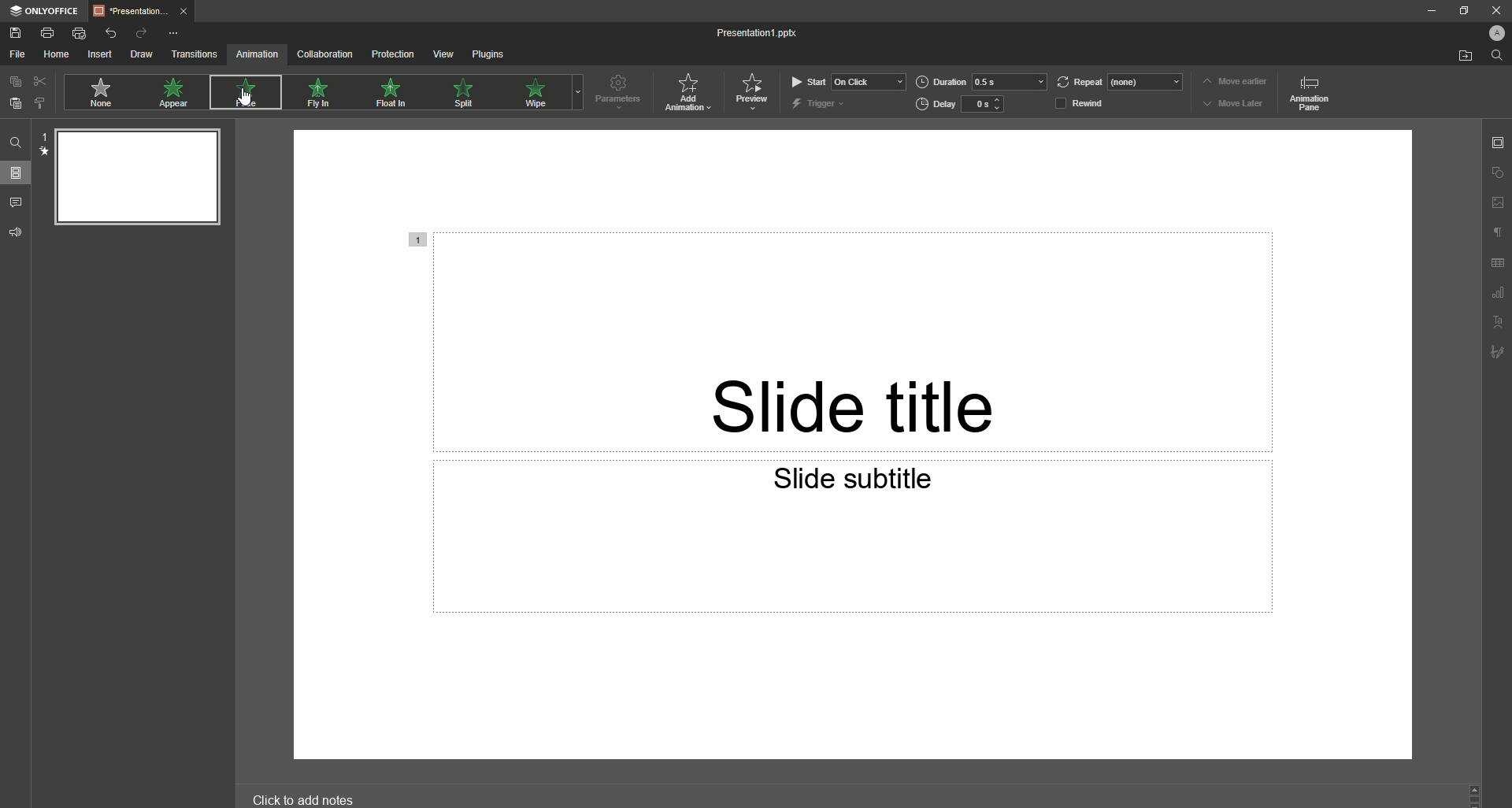 Image resolution: width=1512 pixels, height=808 pixels. I want to click on Feedback, so click(16, 233).